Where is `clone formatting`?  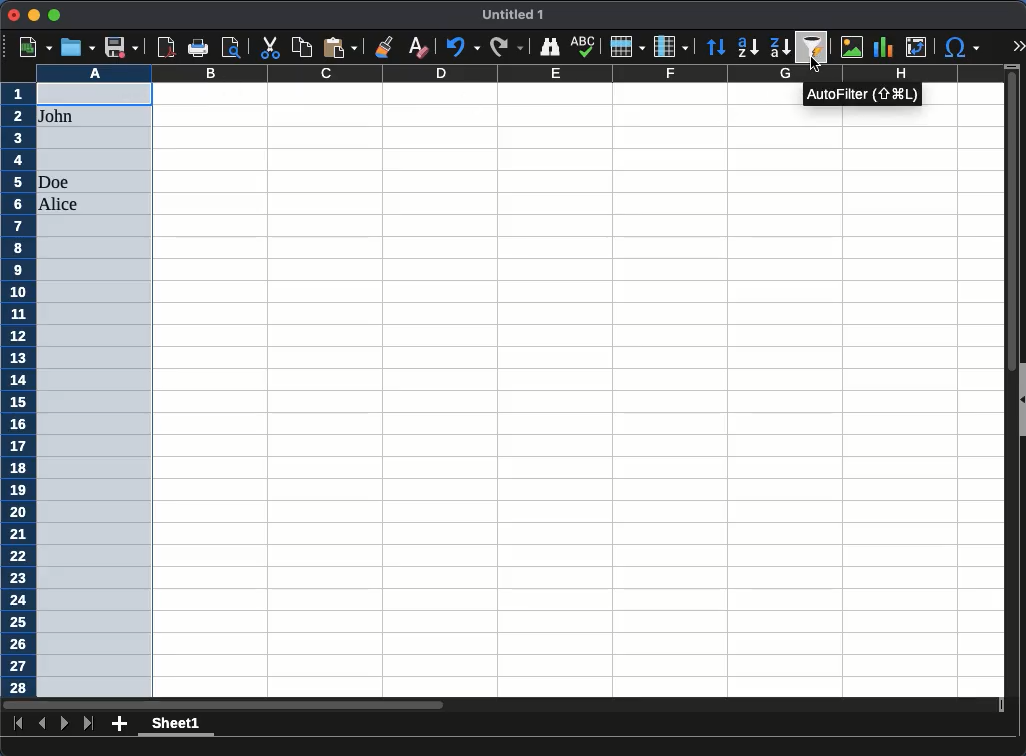 clone formatting is located at coordinates (387, 46).